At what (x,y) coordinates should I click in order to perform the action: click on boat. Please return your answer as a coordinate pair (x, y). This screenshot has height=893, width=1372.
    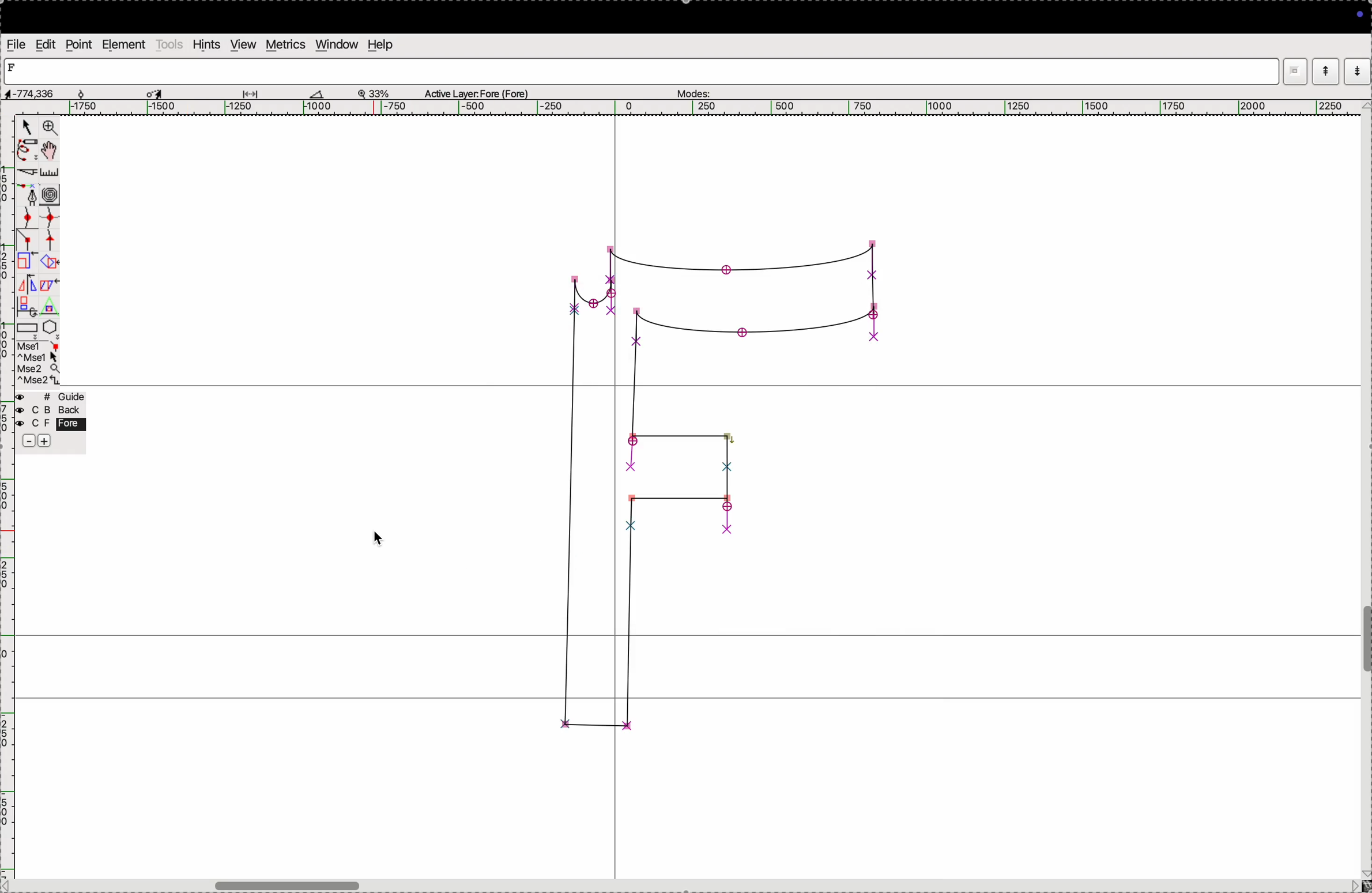
    Looking at the image, I should click on (322, 93).